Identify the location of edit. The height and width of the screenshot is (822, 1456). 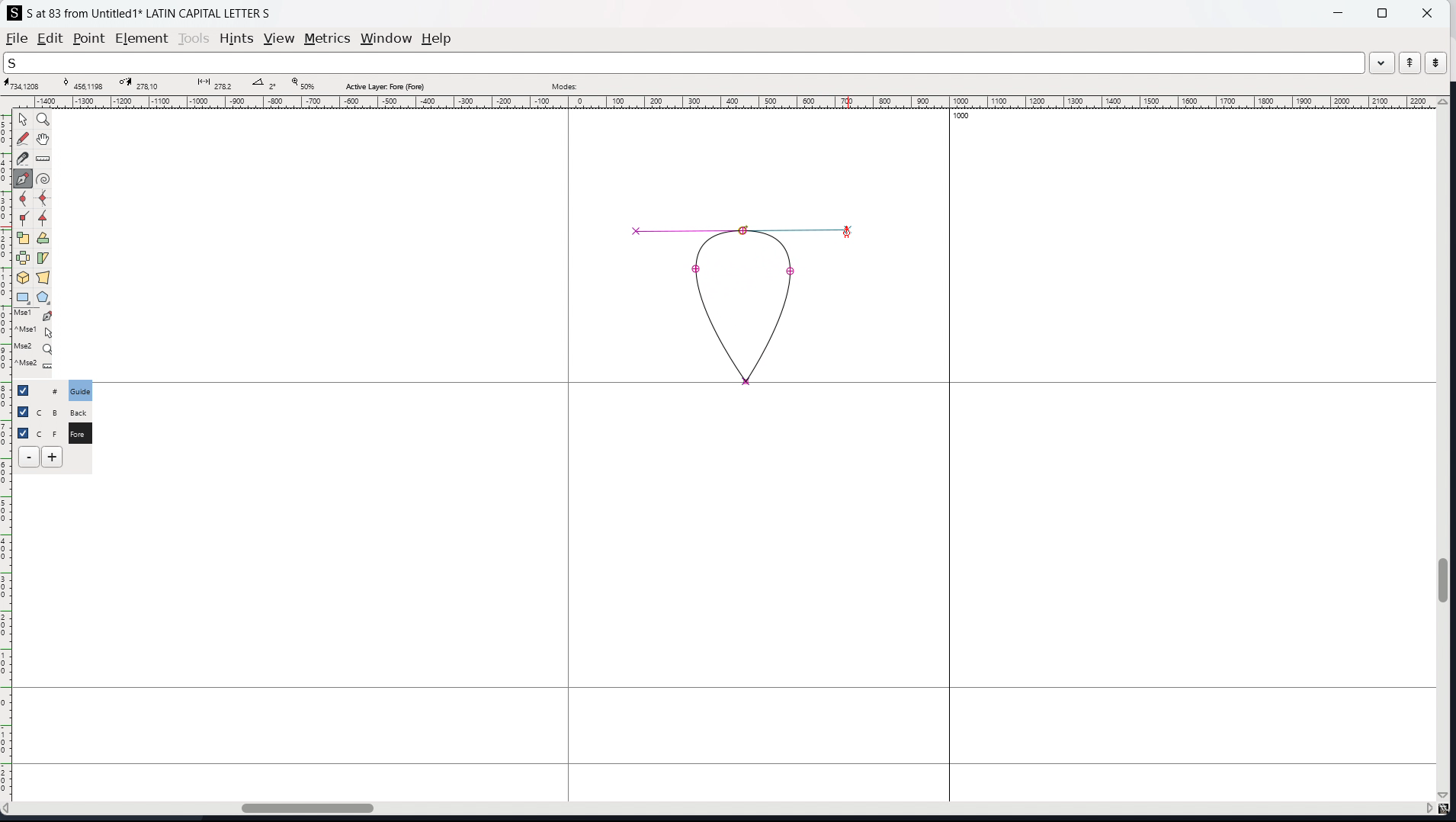
(50, 38).